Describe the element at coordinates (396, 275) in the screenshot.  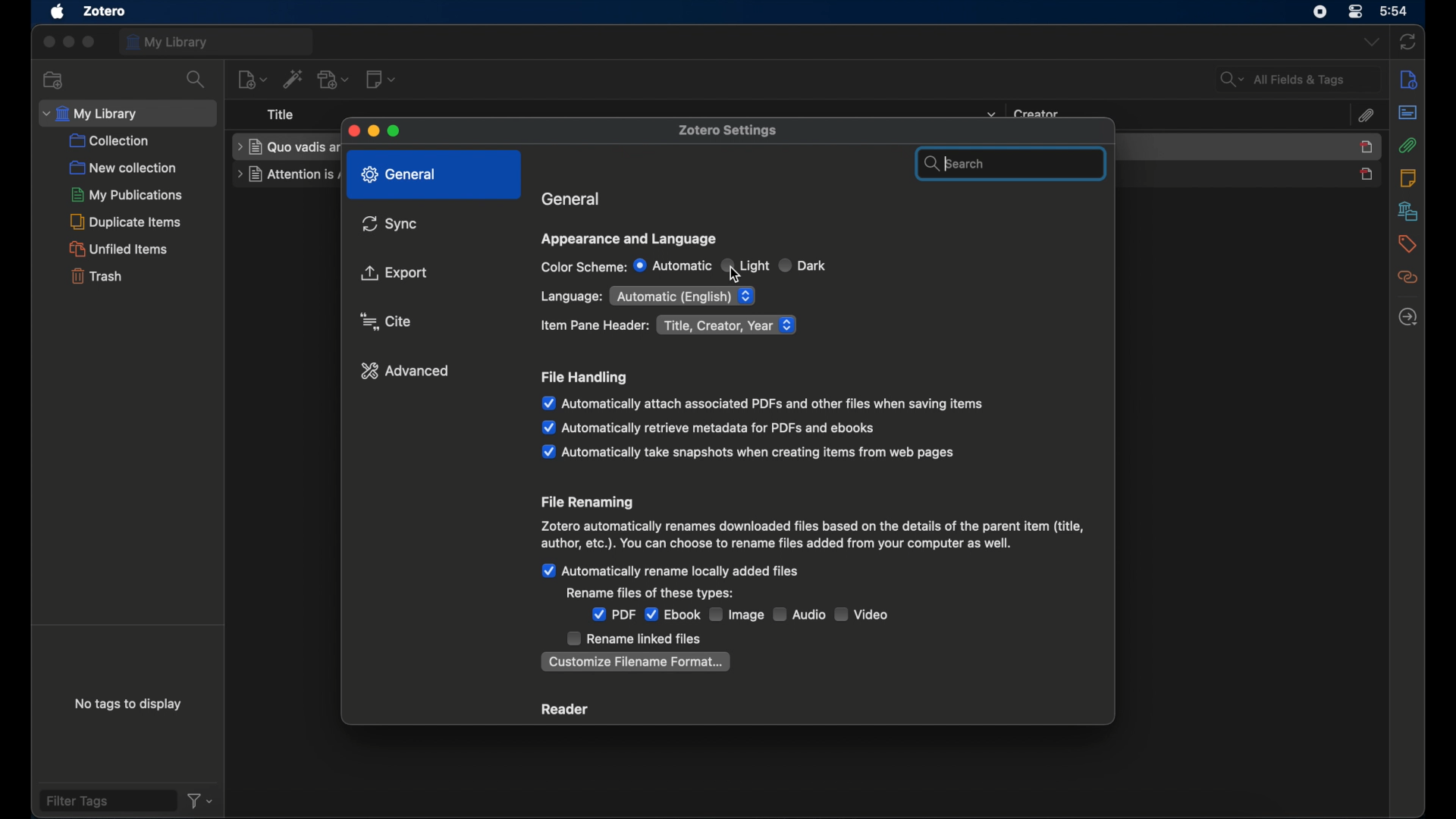
I see `export` at that location.